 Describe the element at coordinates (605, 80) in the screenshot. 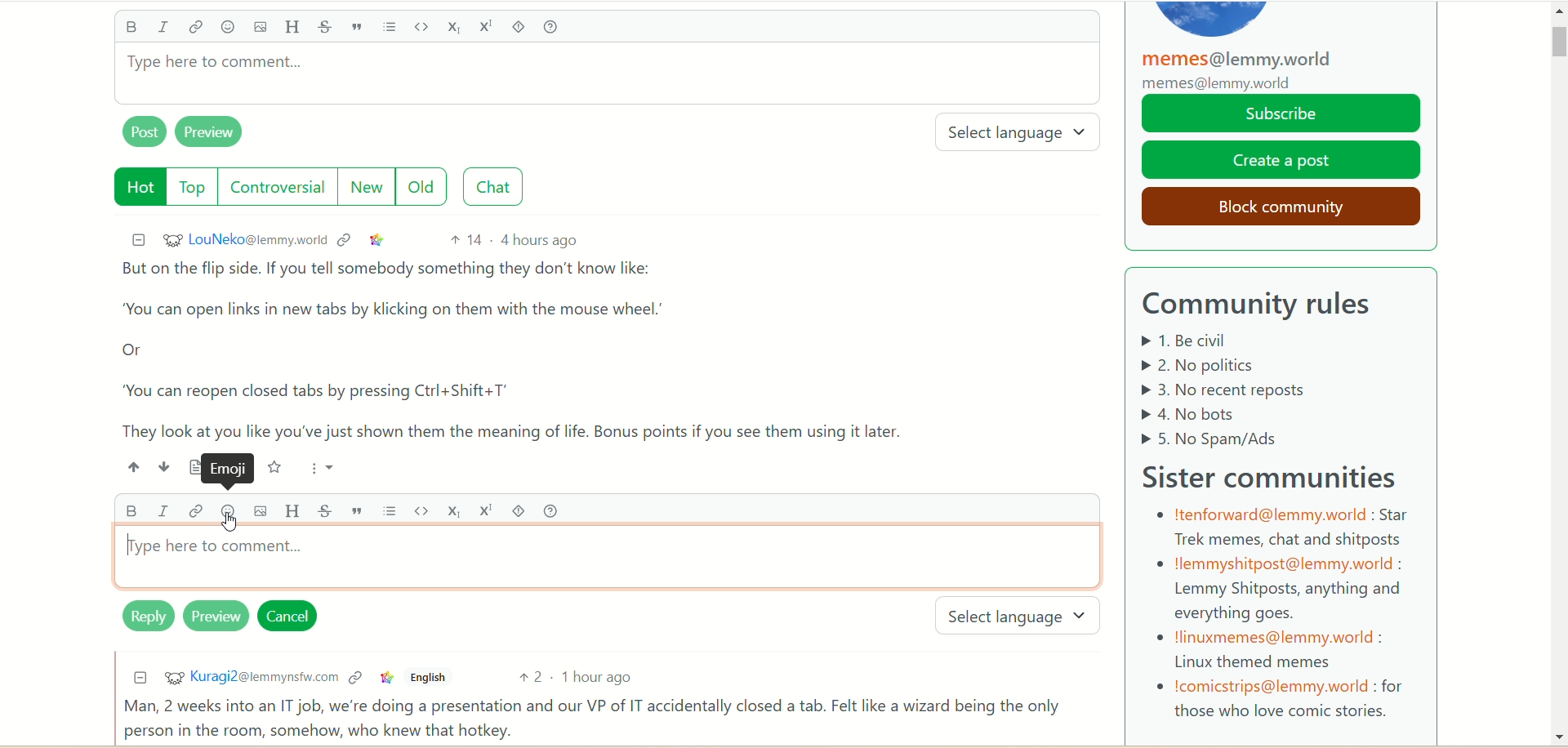

I see `type comment here` at that location.